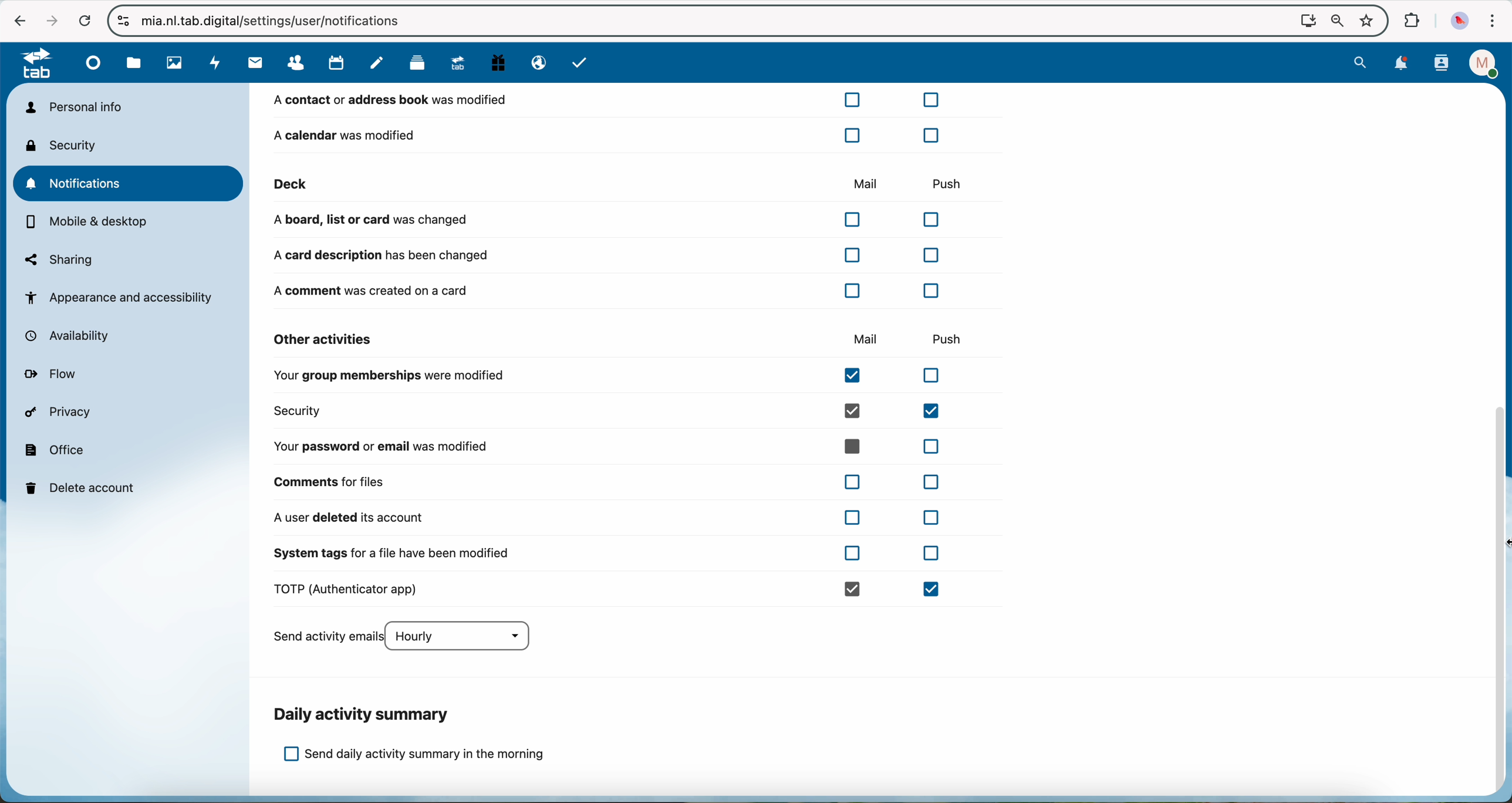 The image size is (1512, 803). I want to click on send activity emails, so click(408, 637).